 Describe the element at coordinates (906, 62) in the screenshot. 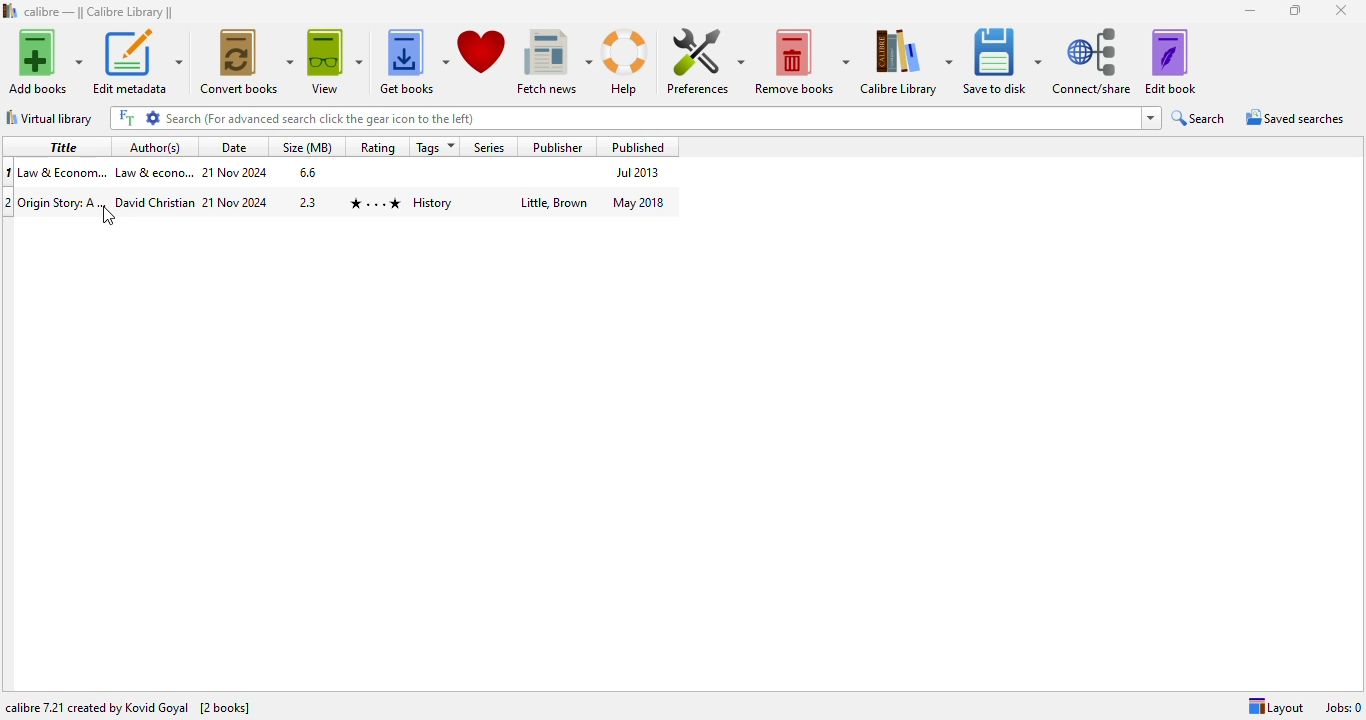

I see `calibre library` at that location.